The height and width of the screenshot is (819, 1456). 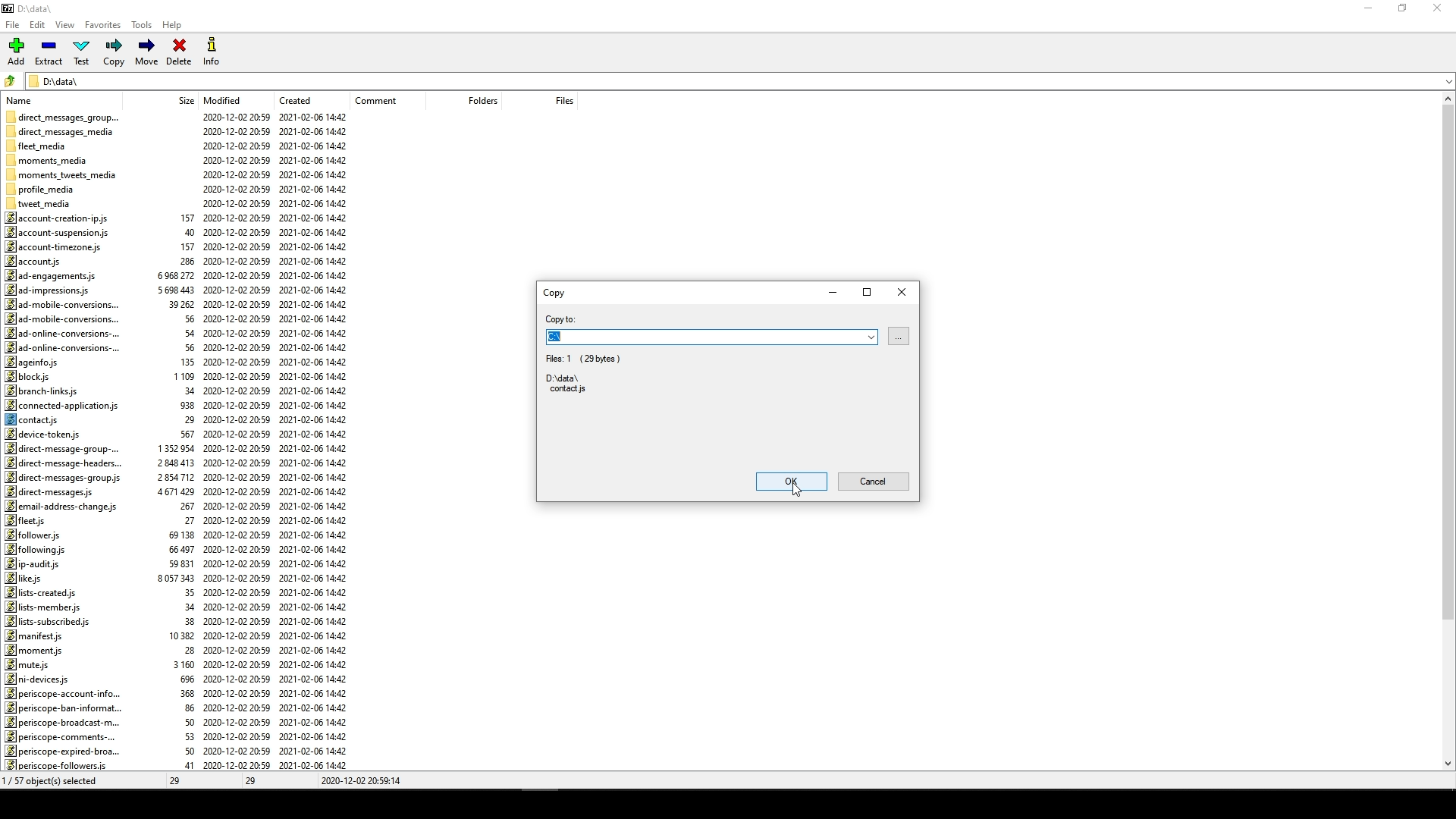 I want to click on name, so click(x=24, y=99).